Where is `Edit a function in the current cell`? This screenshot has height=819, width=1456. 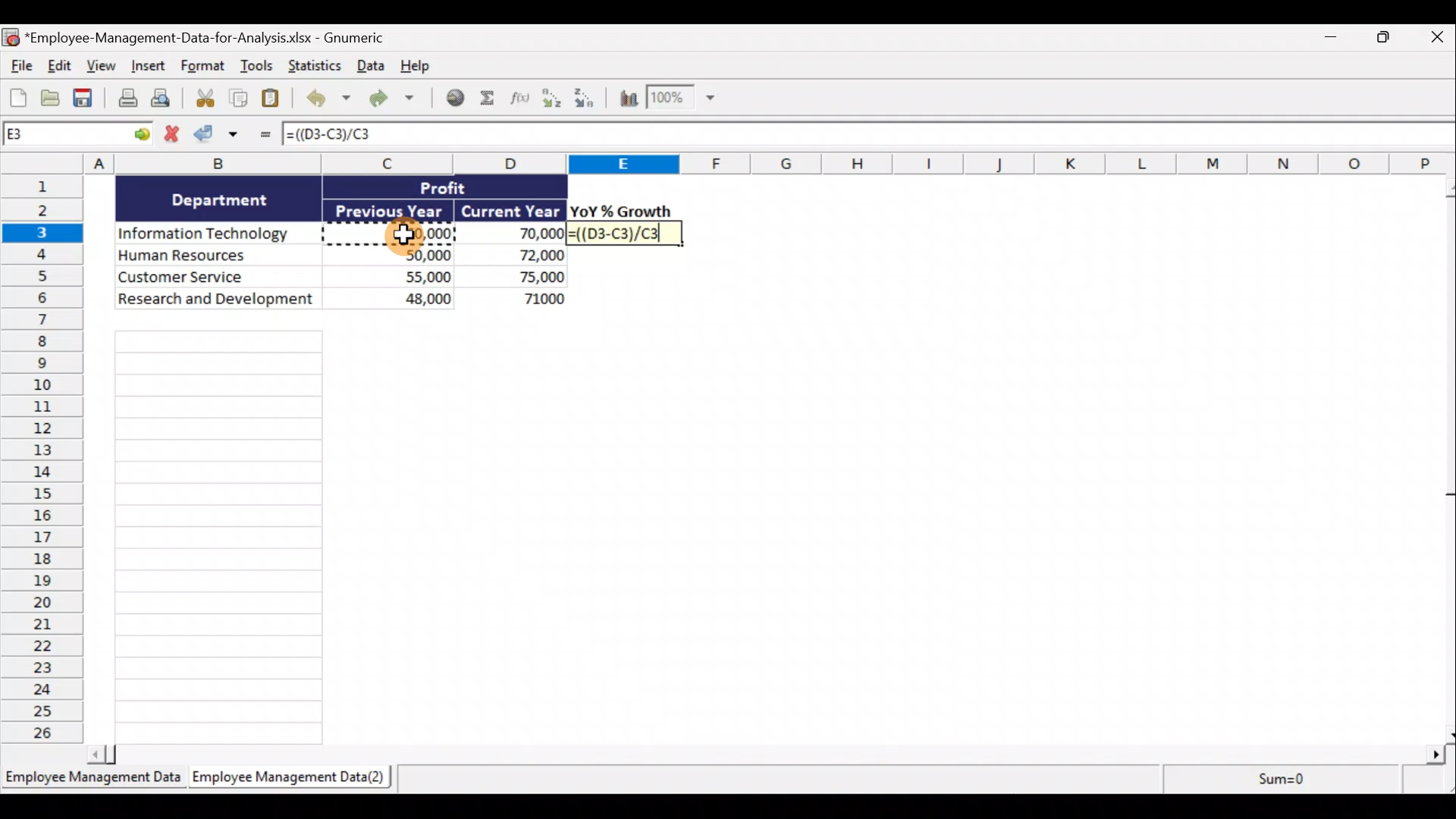 Edit a function in the current cell is located at coordinates (524, 102).